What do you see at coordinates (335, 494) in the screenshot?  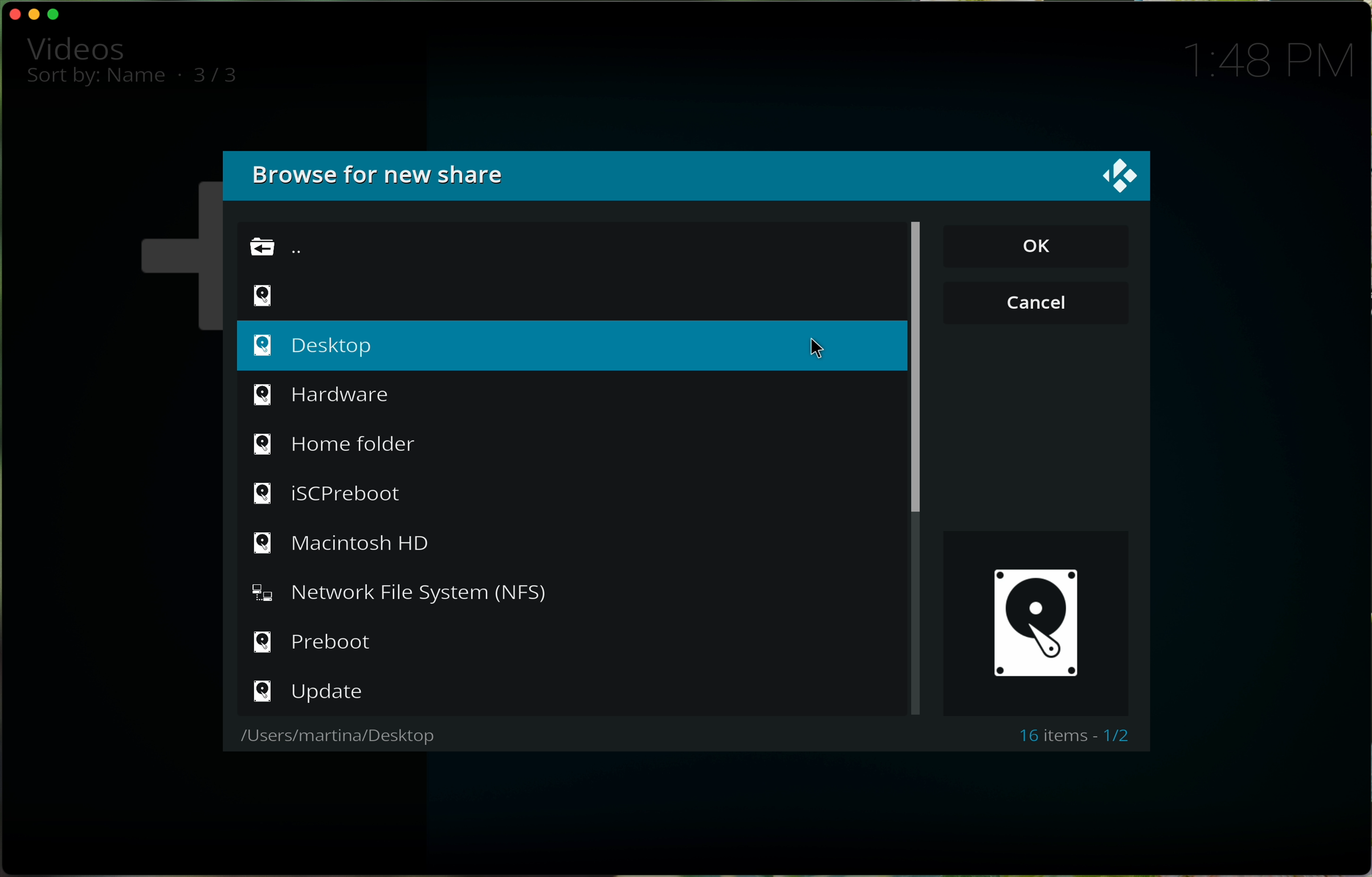 I see `iSCPreboot` at bounding box center [335, 494].